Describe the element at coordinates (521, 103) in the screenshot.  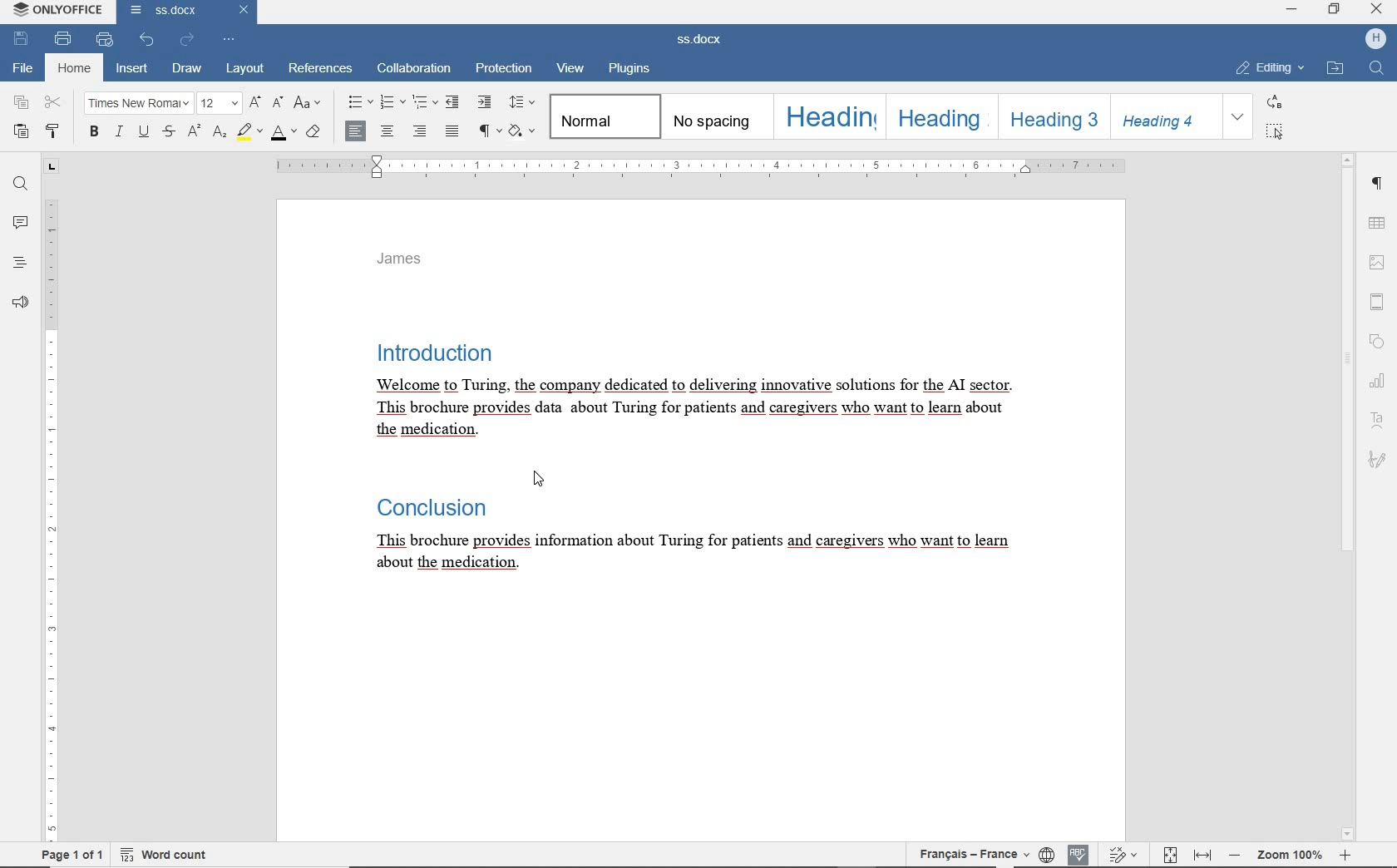
I see `PARAGRAPH LINE SPACING` at that location.